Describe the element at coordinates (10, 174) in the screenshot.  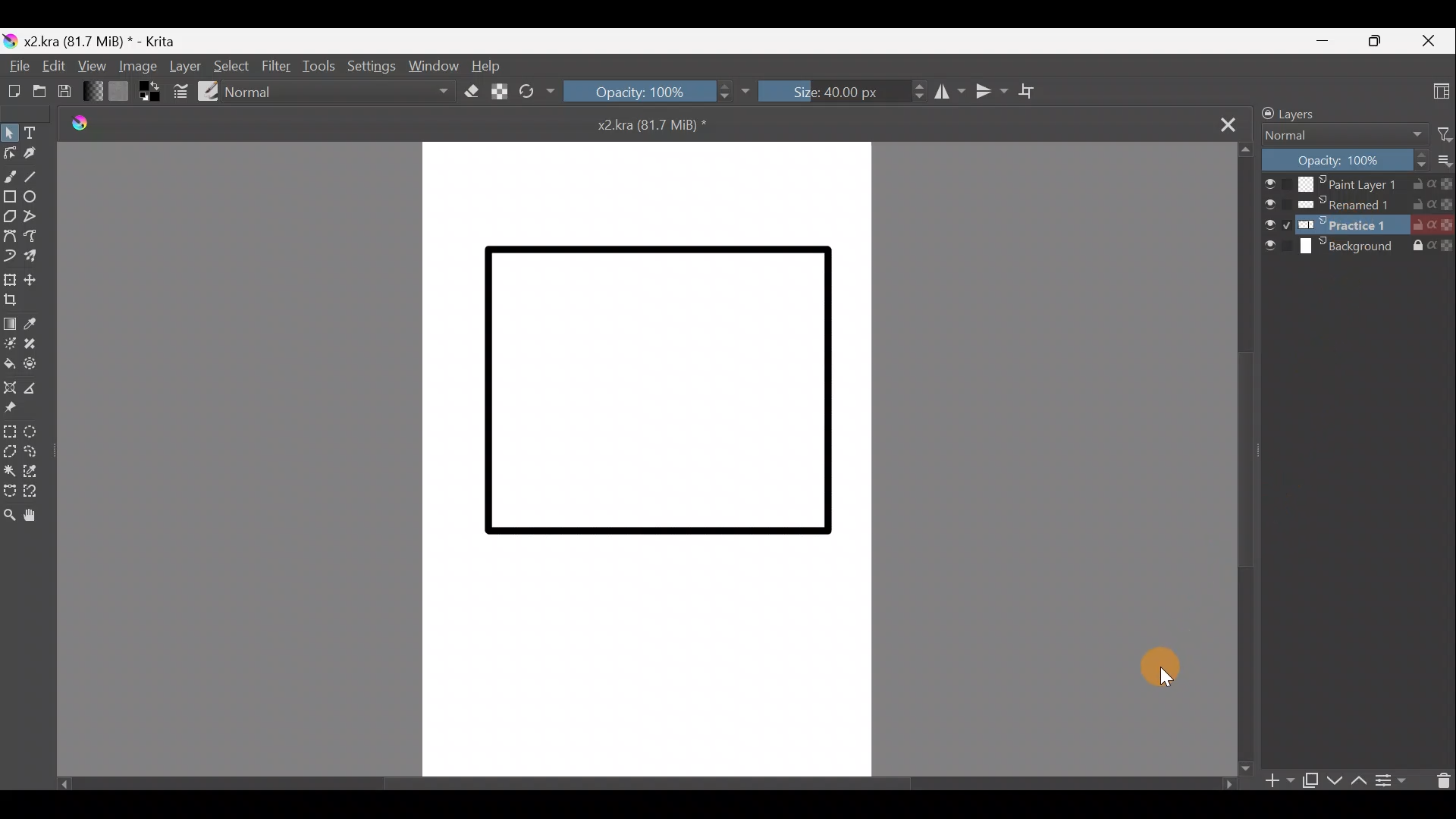
I see `Freehand brush tool` at that location.